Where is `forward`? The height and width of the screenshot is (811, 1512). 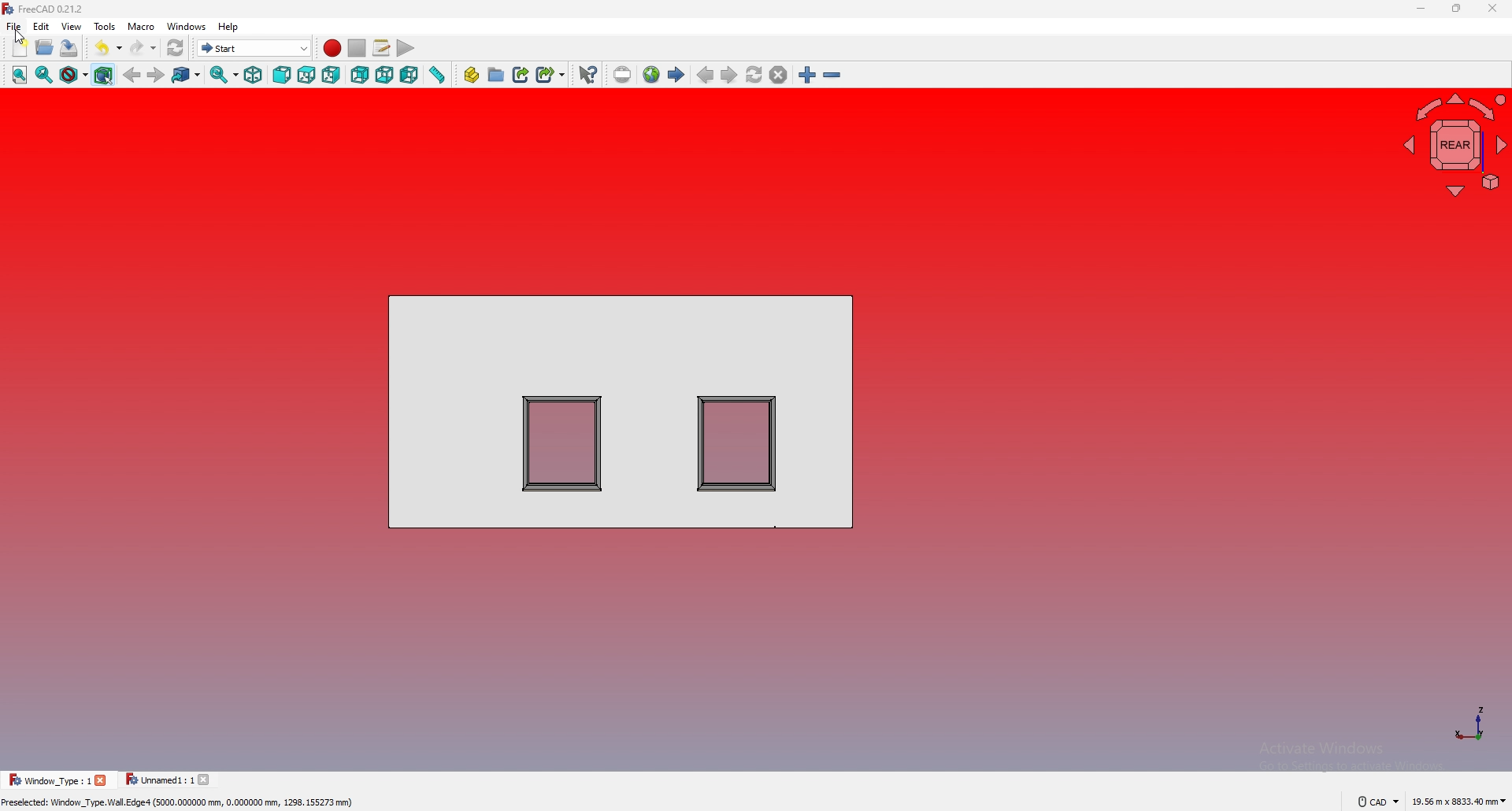 forward is located at coordinates (157, 74).